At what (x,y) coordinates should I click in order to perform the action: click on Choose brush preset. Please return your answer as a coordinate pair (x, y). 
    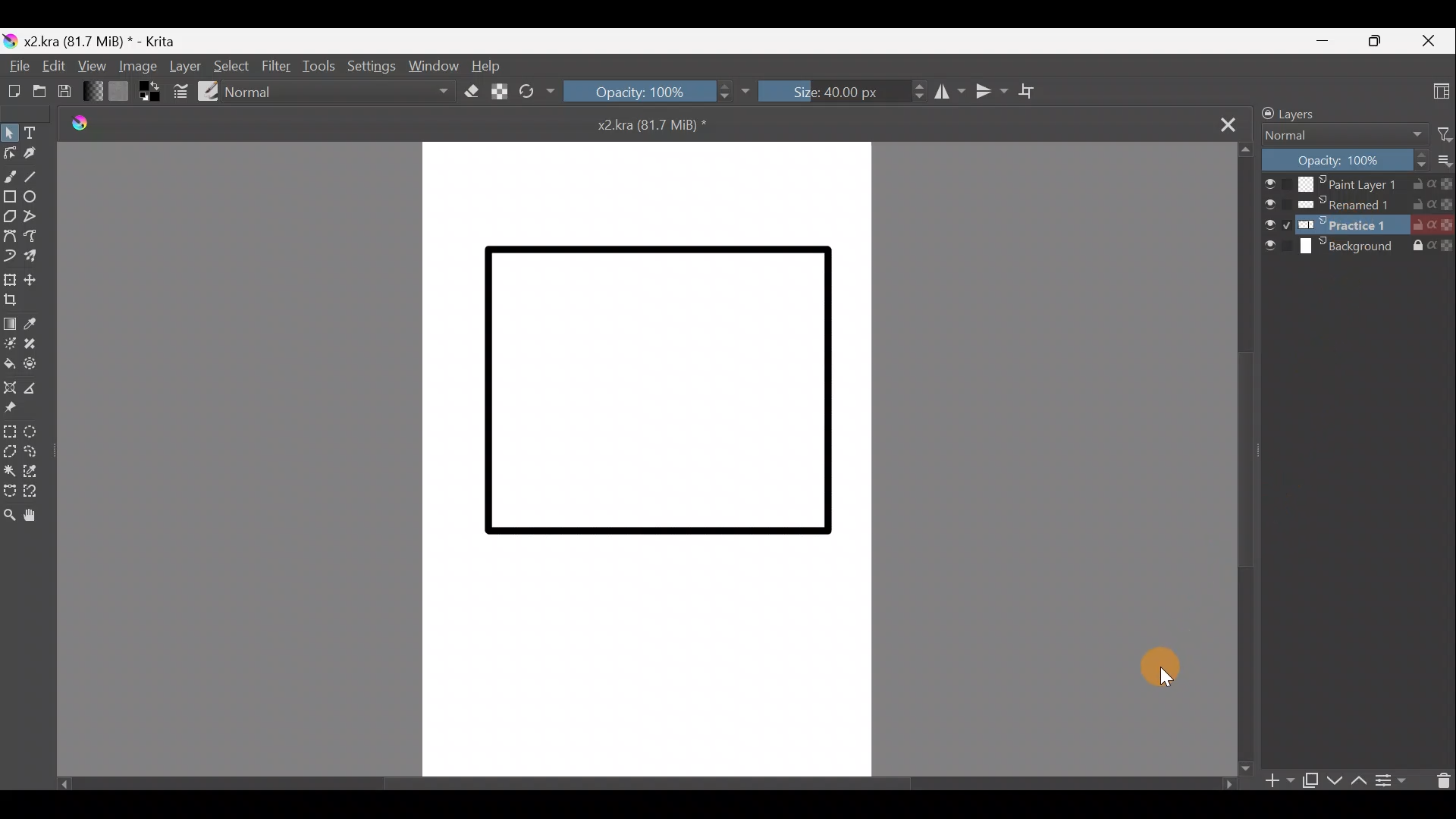
    Looking at the image, I should click on (210, 93).